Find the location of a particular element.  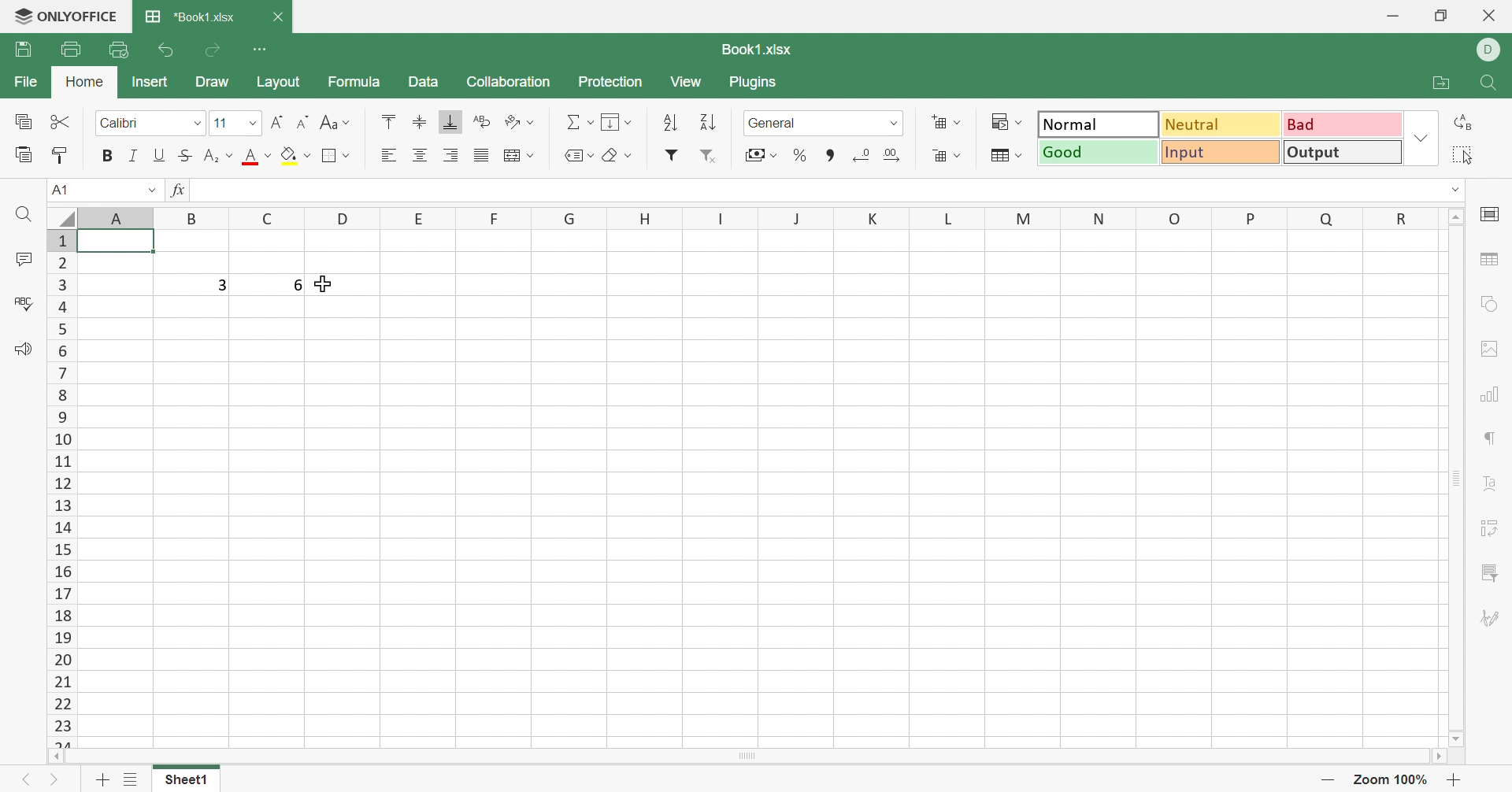

Justified is located at coordinates (481, 156).